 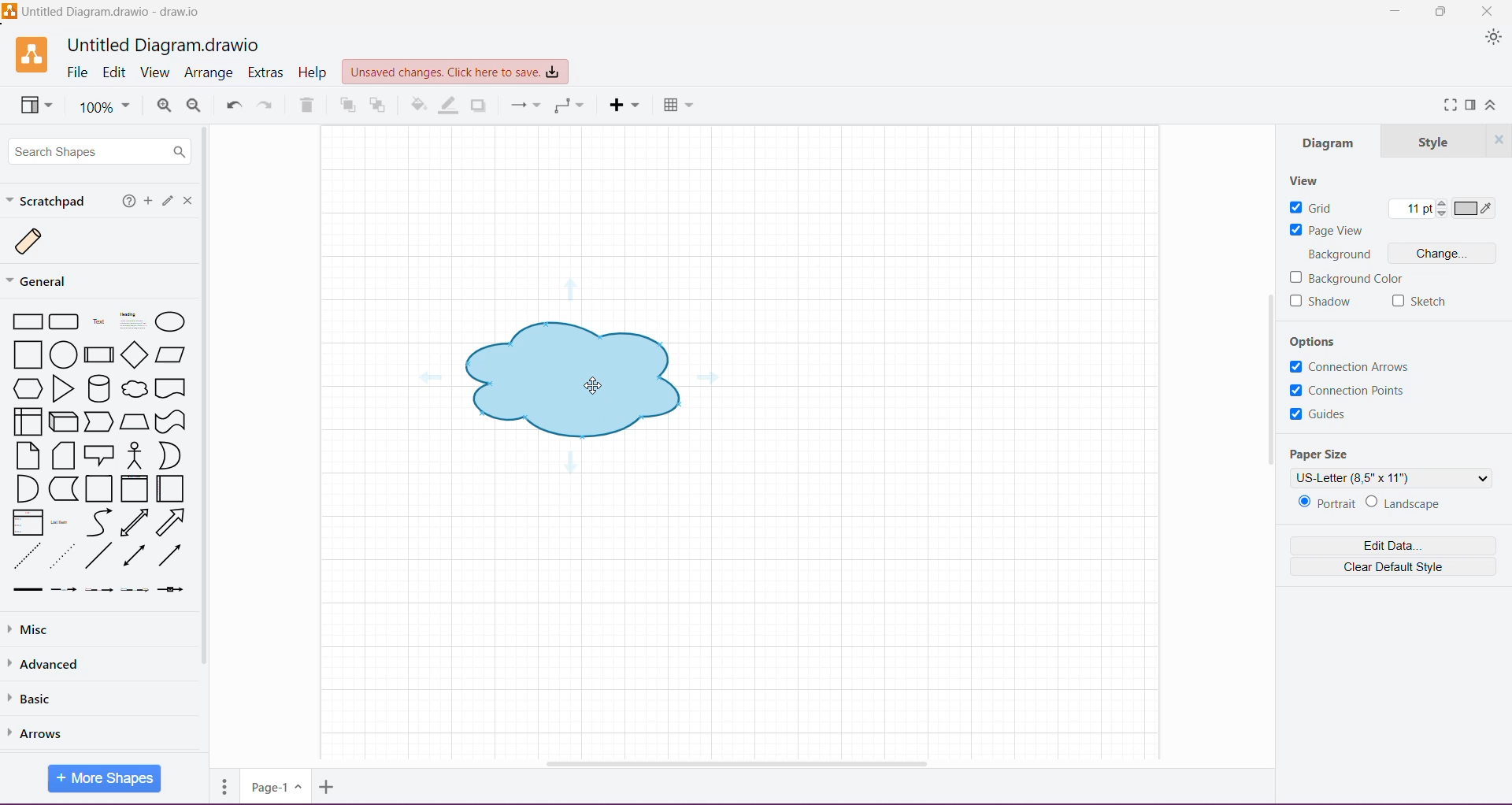 What do you see at coordinates (1314, 339) in the screenshot?
I see `Options` at bounding box center [1314, 339].